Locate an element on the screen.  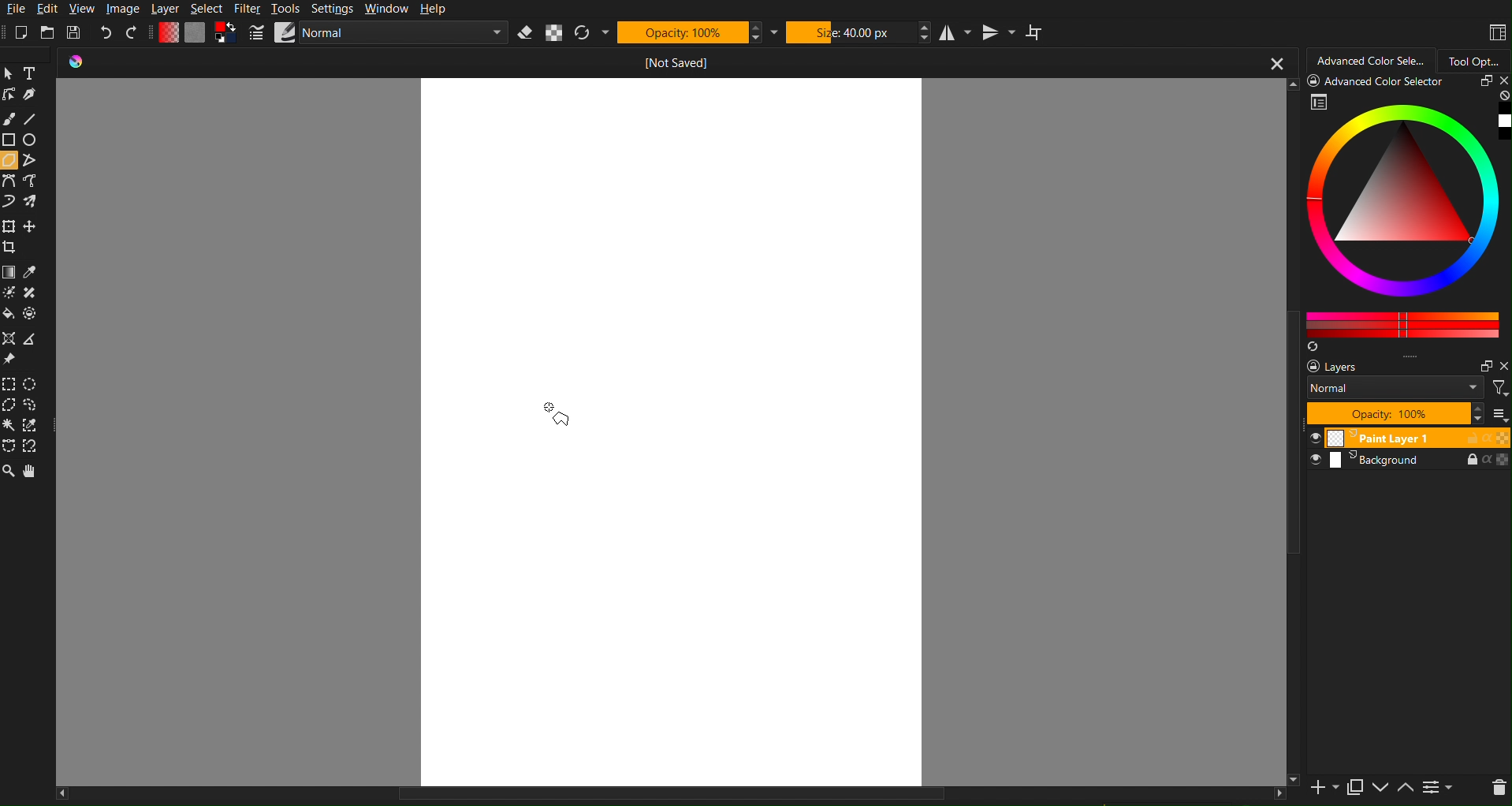
delete layer is located at coordinates (1498, 788).